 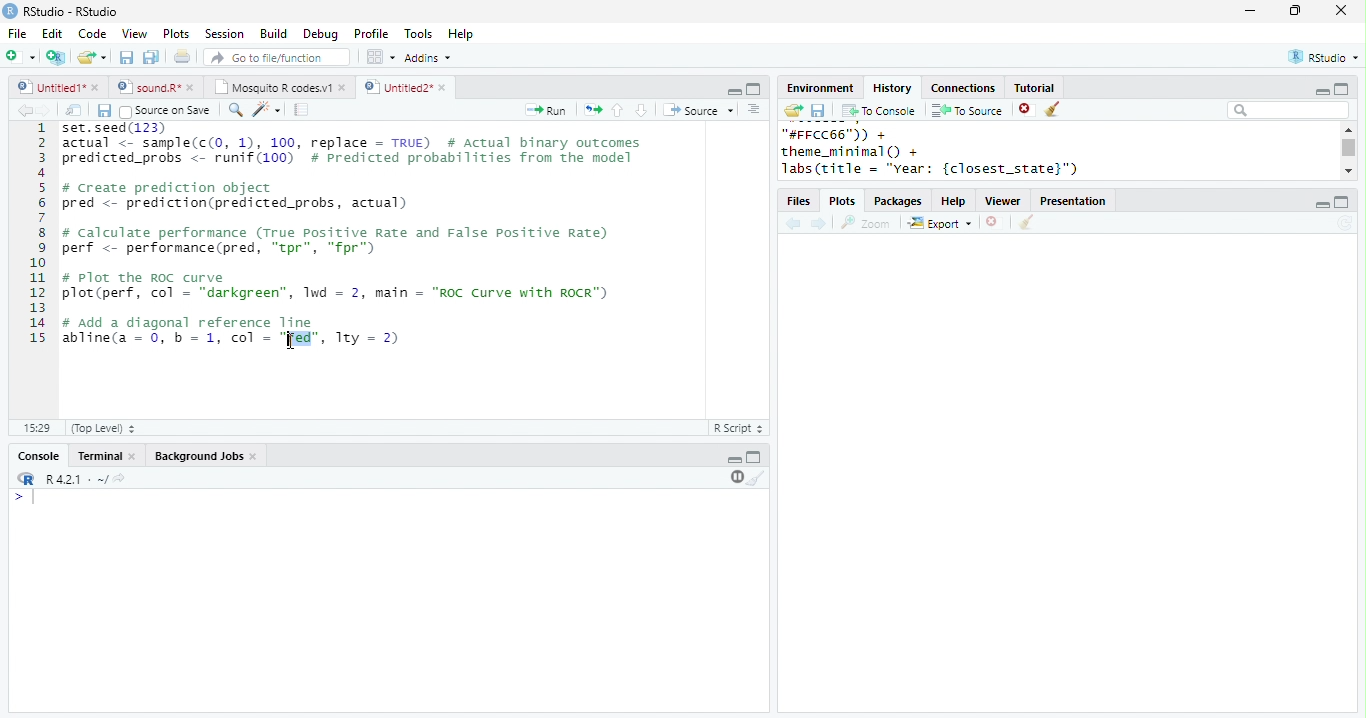 What do you see at coordinates (234, 330) in the screenshot?
I see `# Add a diagonal reference line
abline(a = 0, b = 1, col = "red", Try = 2)` at bounding box center [234, 330].